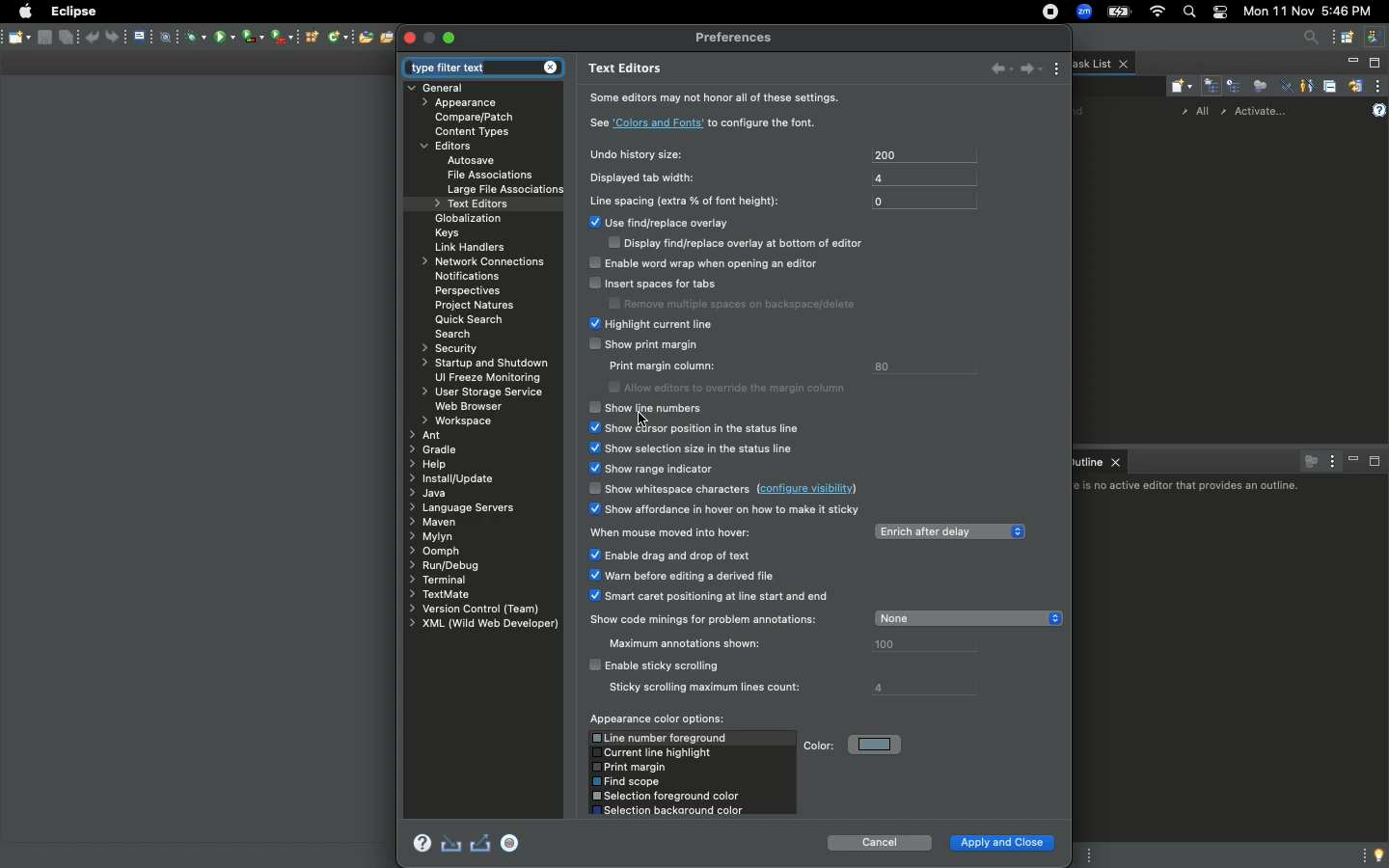 The image size is (1389, 868). What do you see at coordinates (483, 362) in the screenshot?
I see `Startup and shutdown` at bounding box center [483, 362].